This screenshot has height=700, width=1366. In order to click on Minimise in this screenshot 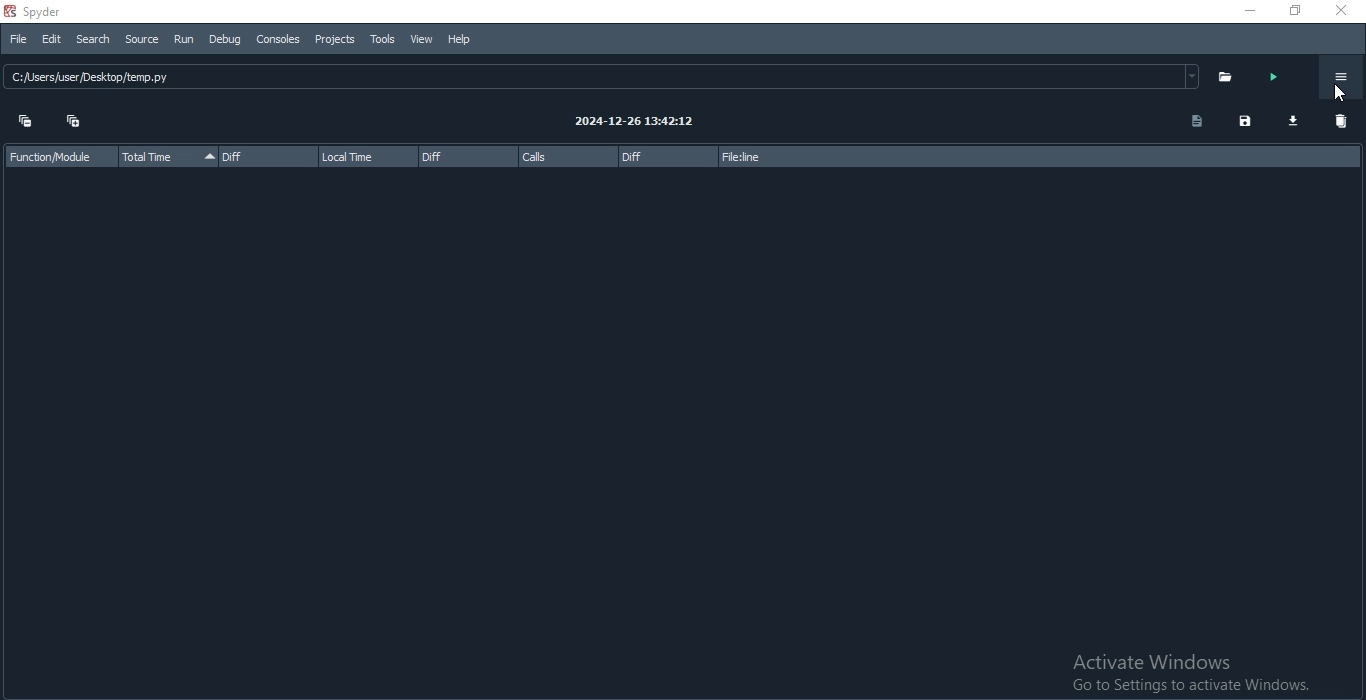, I will do `click(1243, 12)`.